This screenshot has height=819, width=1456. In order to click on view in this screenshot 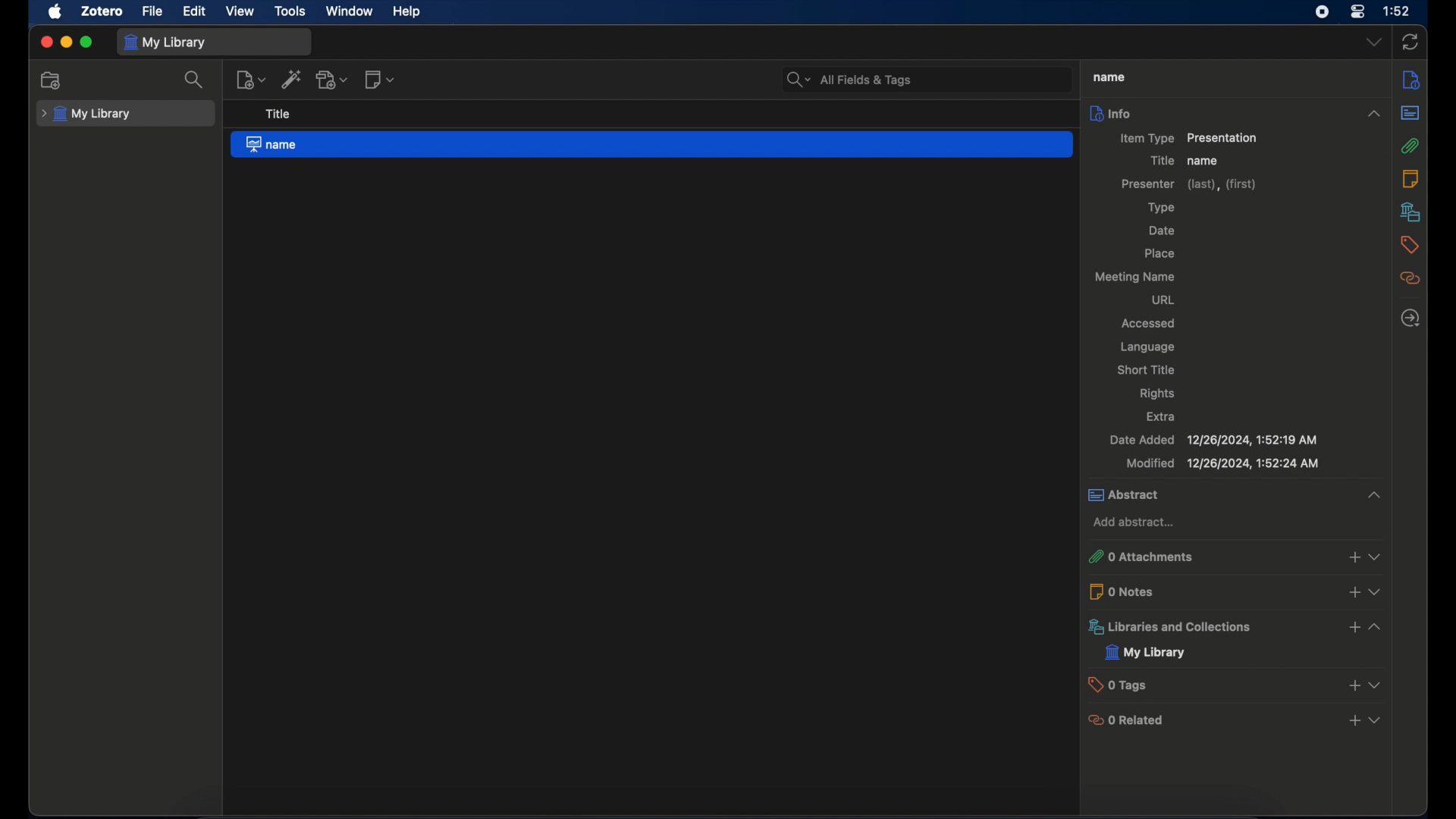, I will do `click(240, 11)`.